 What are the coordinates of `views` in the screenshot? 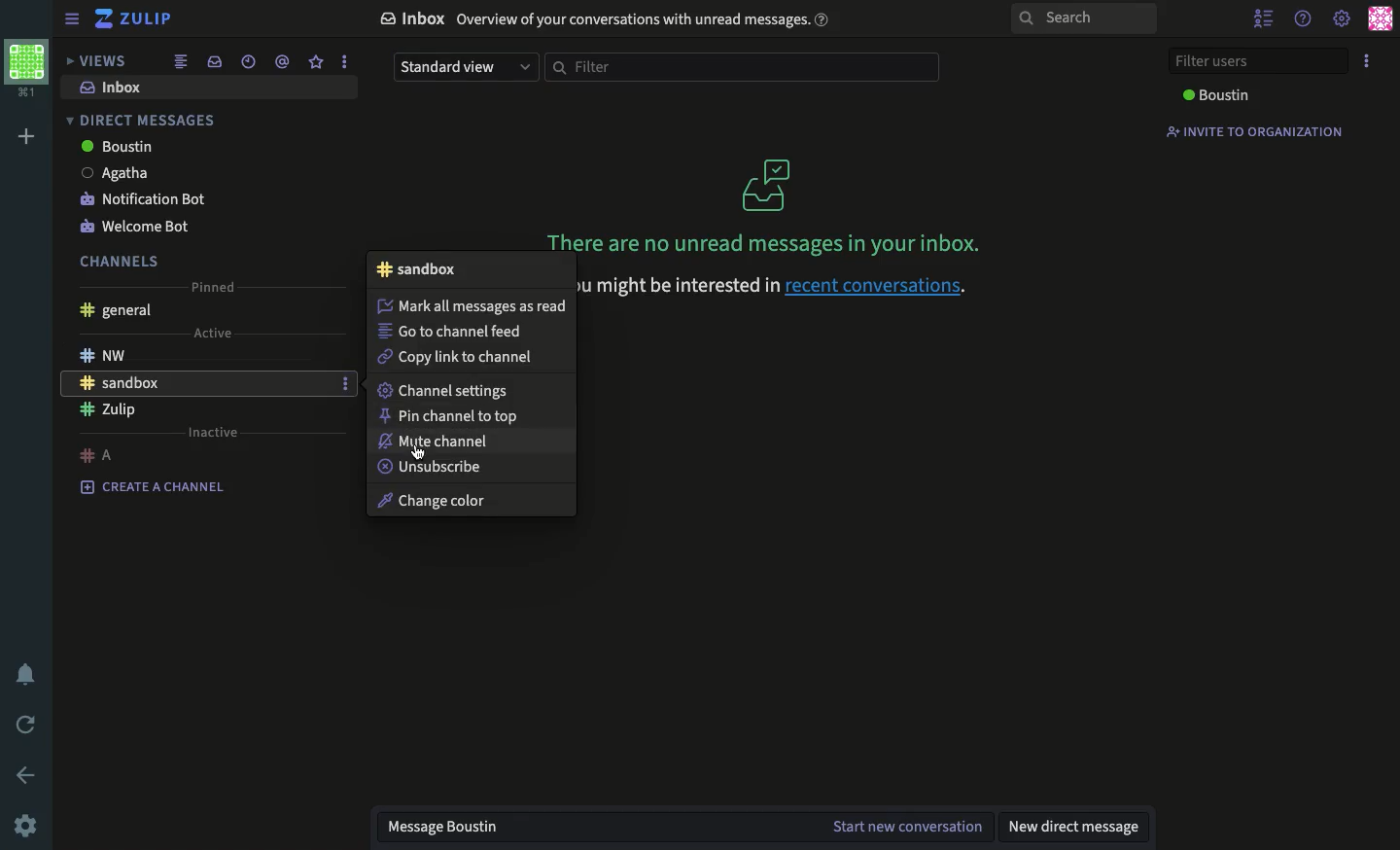 It's located at (100, 62).